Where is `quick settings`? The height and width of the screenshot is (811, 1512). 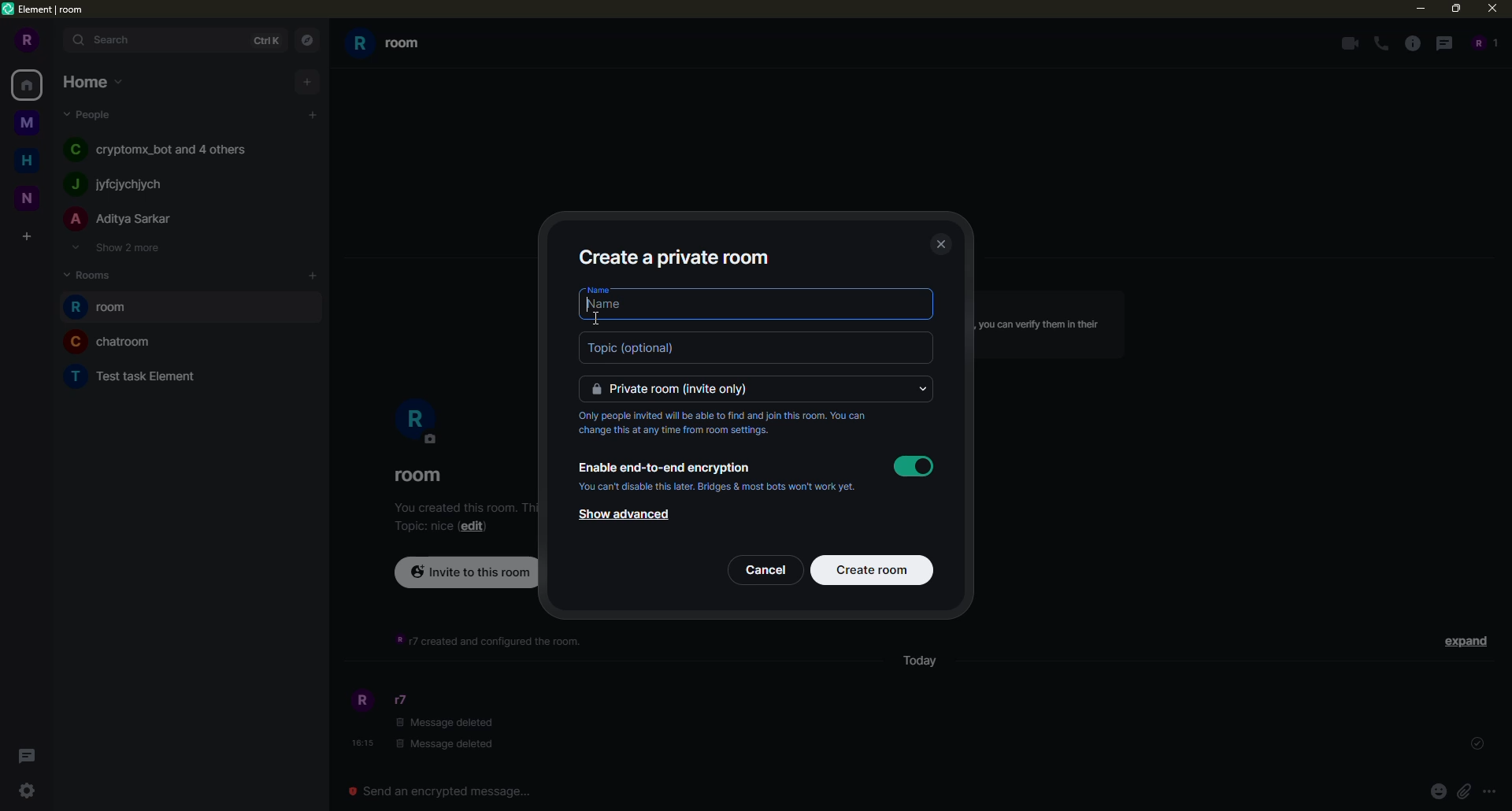 quick settings is located at coordinates (26, 791).